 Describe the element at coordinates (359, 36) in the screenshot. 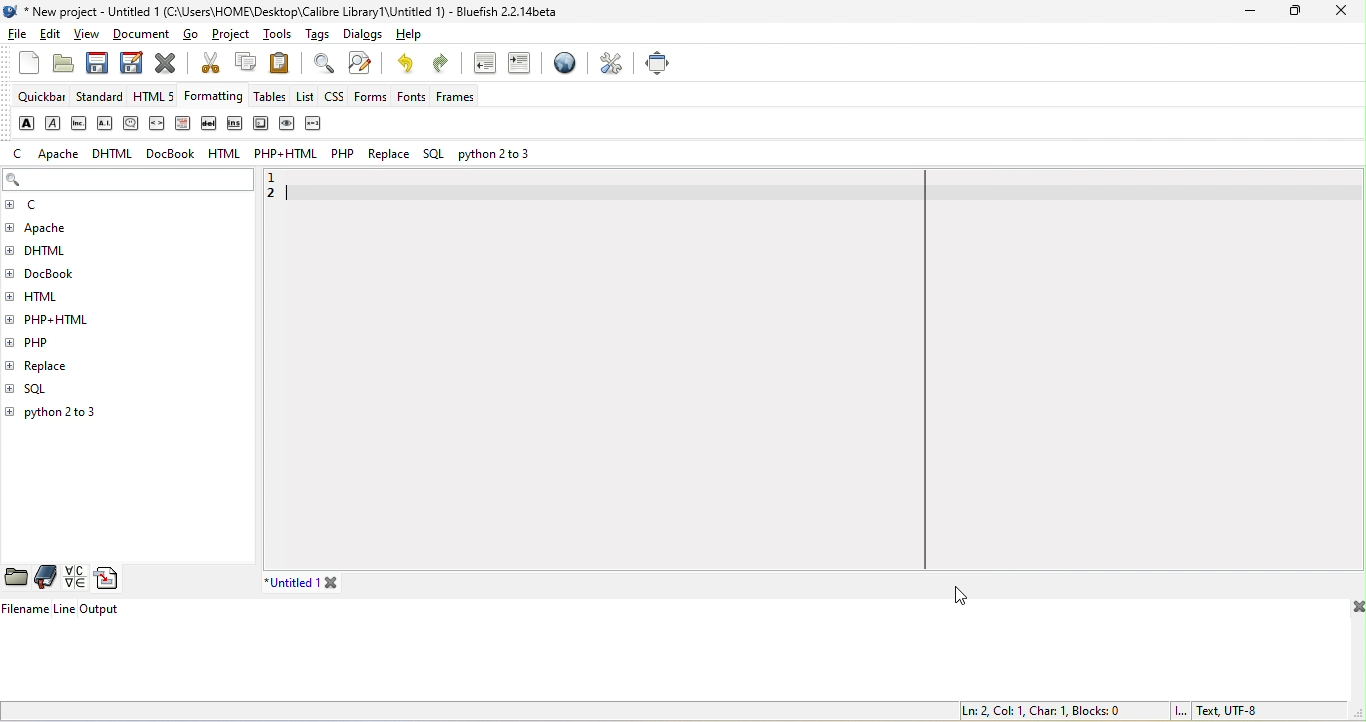

I see `dialogs` at that location.